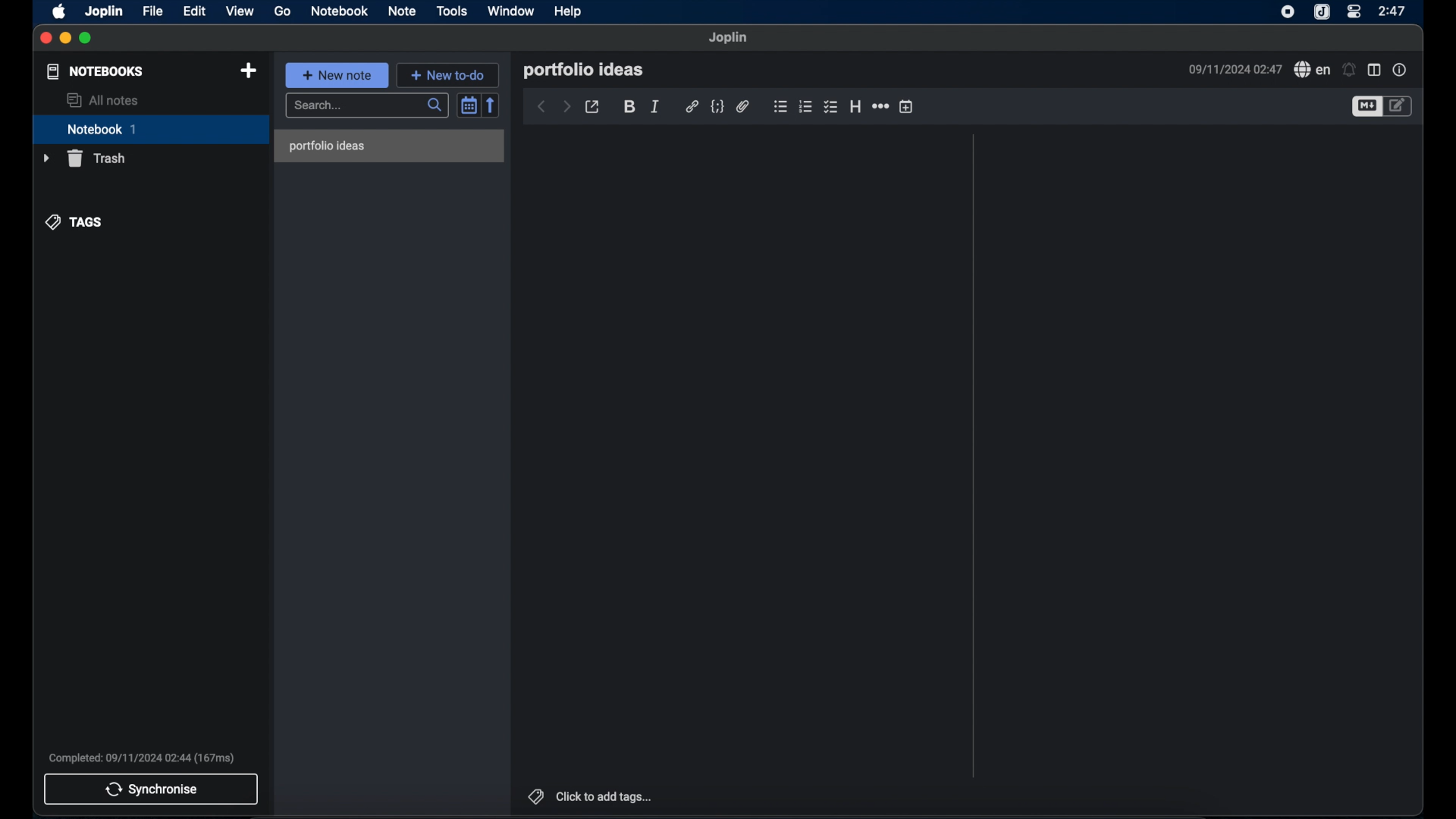 Image resolution: width=1456 pixels, height=819 pixels. I want to click on hyperlink, so click(692, 106).